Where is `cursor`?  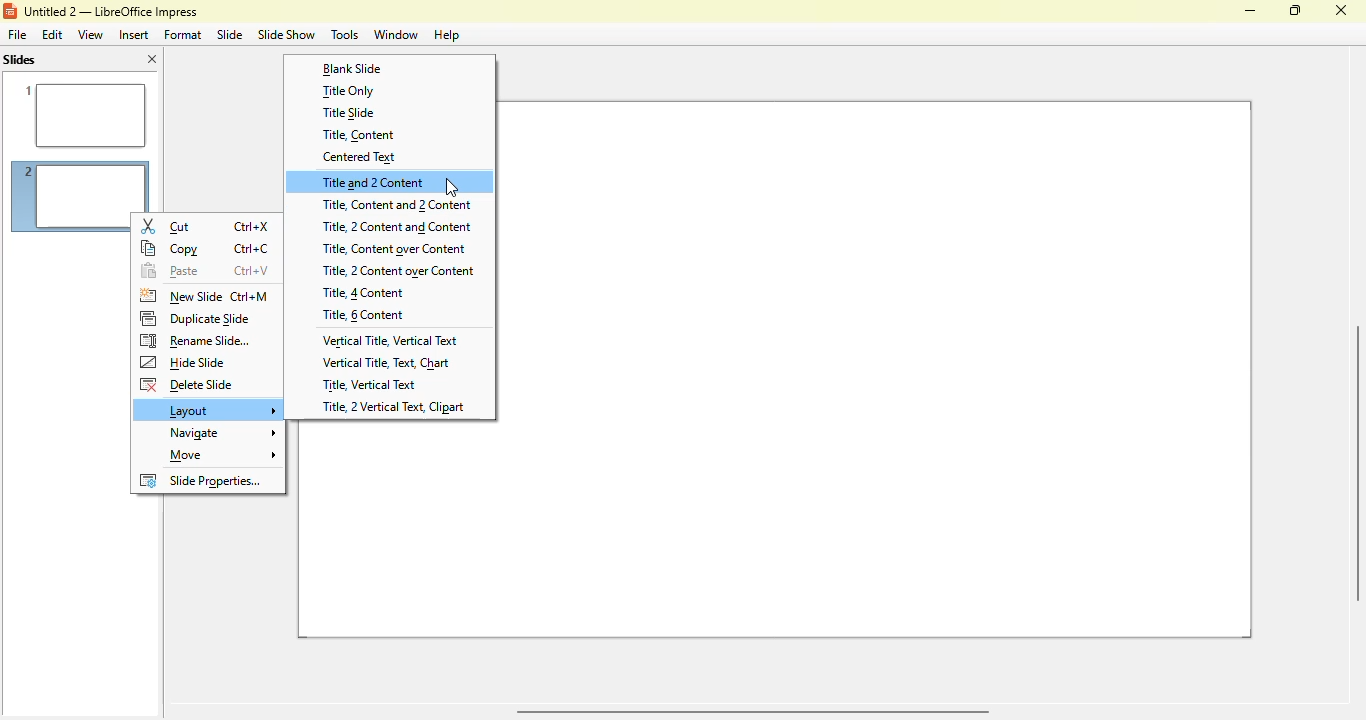
cursor is located at coordinates (267, 412).